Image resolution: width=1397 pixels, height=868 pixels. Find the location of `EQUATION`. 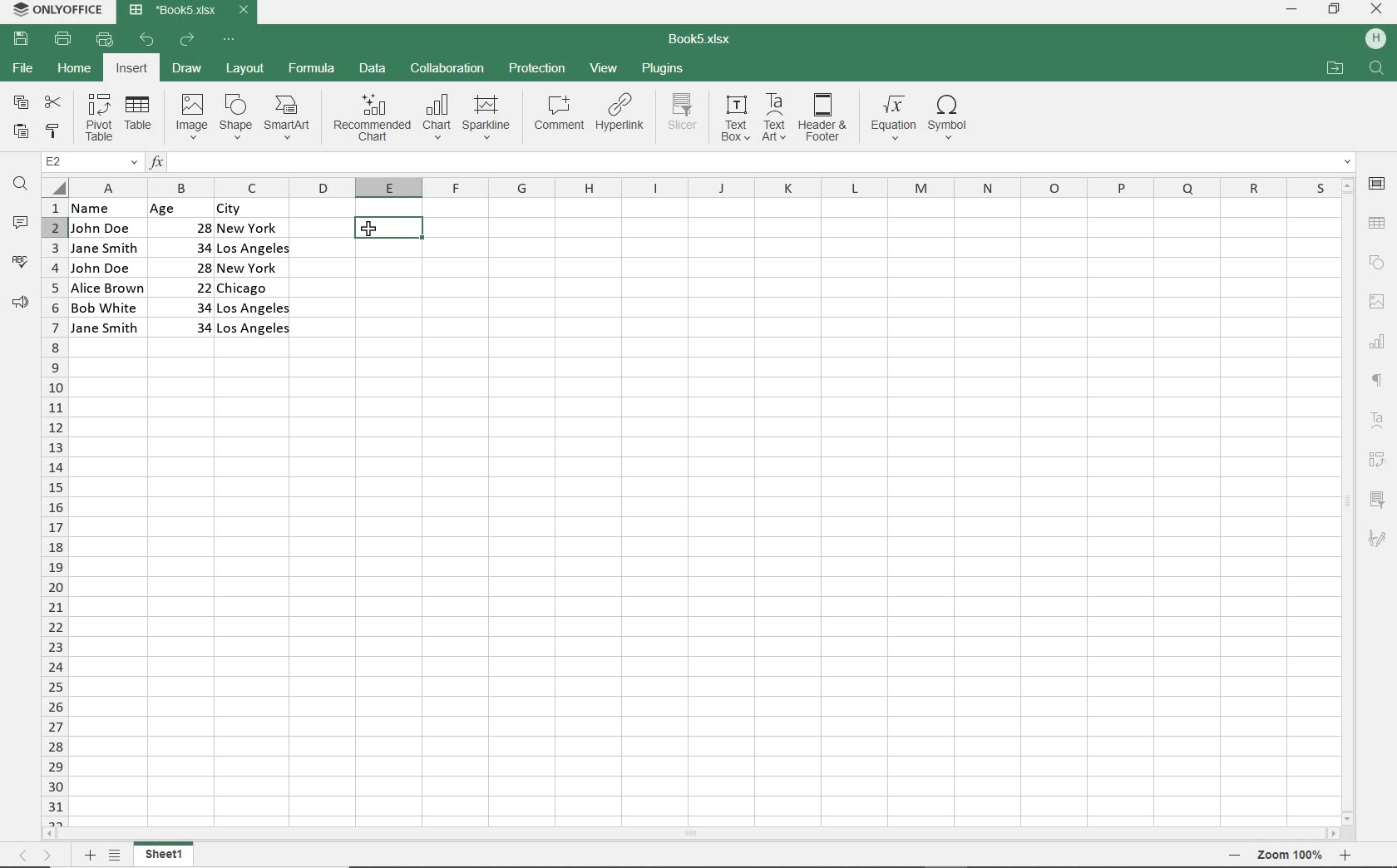

EQUATION is located at coordinates (892, 117).